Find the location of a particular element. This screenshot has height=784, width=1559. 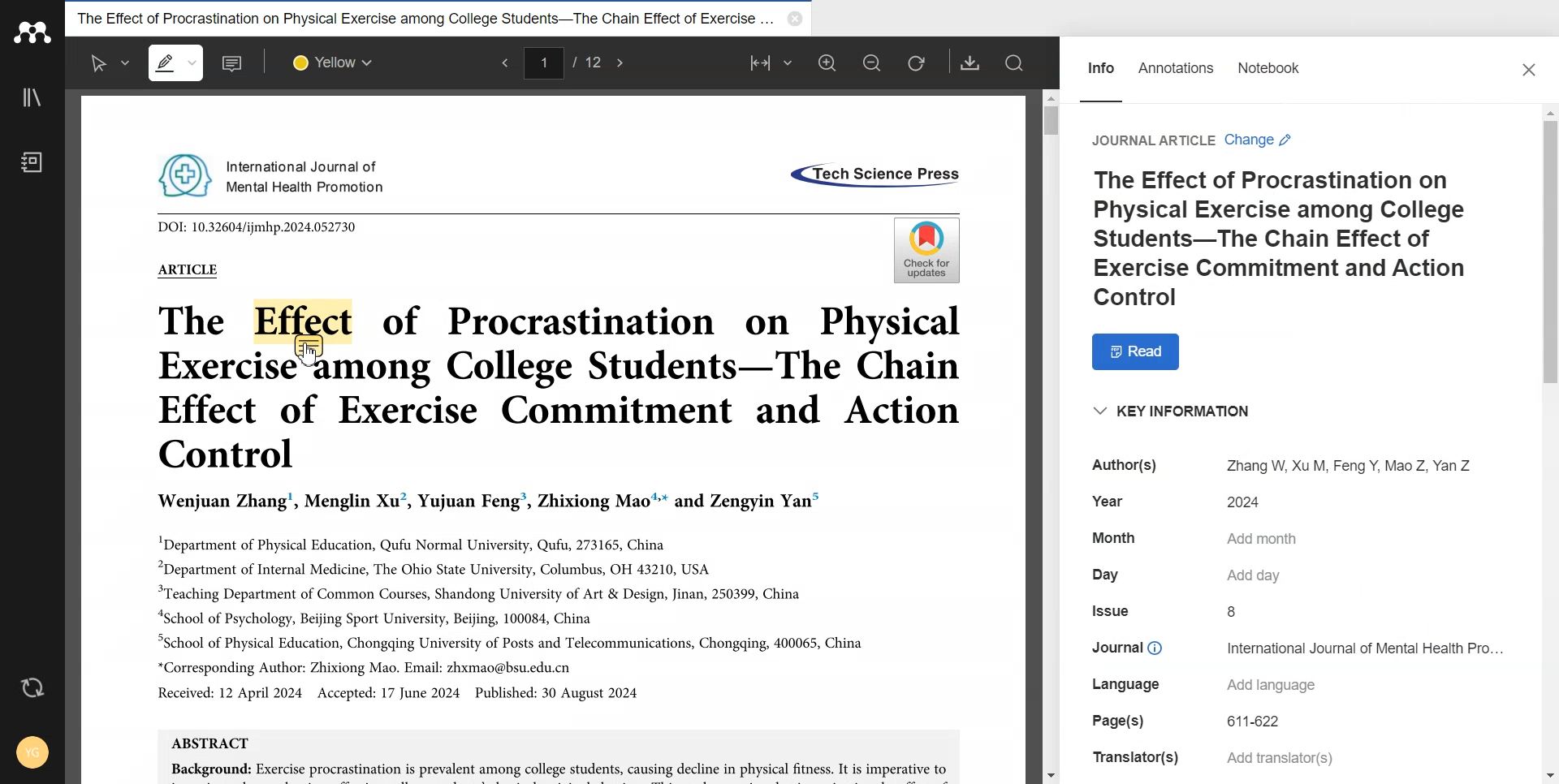

«Tech Science Press is located at coordinates (873, 176).